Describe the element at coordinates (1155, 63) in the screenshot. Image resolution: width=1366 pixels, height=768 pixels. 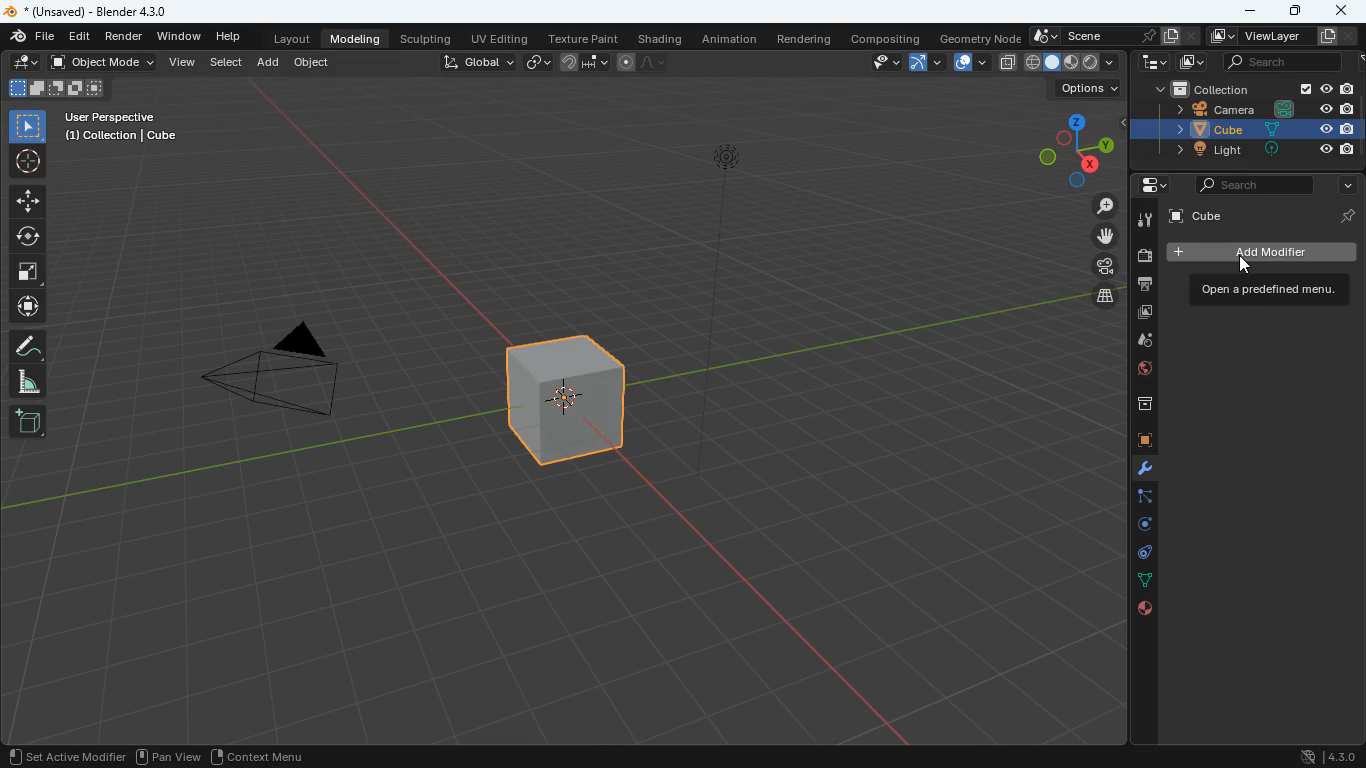
I see `tech` at that location.